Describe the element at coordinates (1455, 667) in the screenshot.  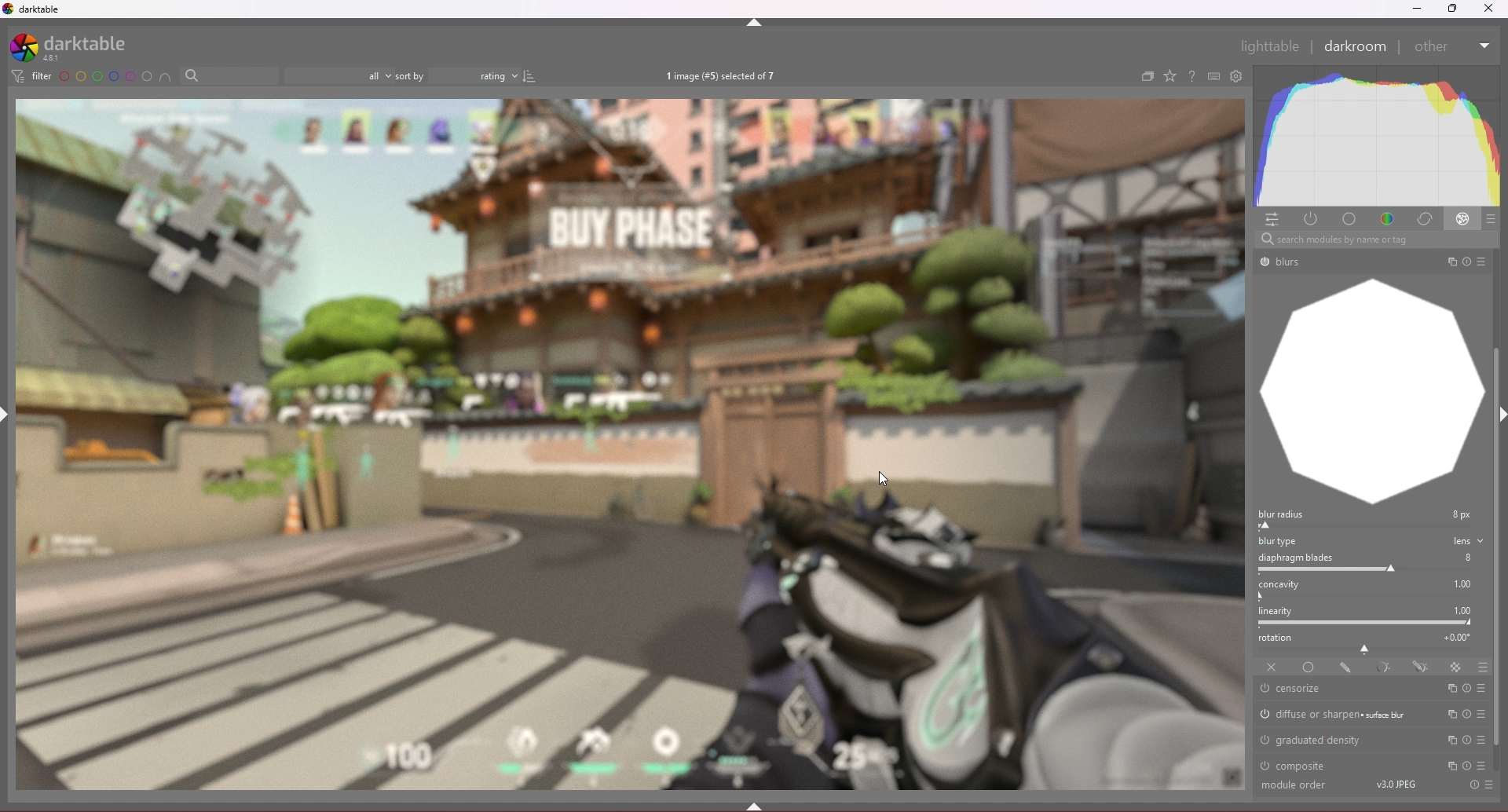
I see `raster mask` at that location.